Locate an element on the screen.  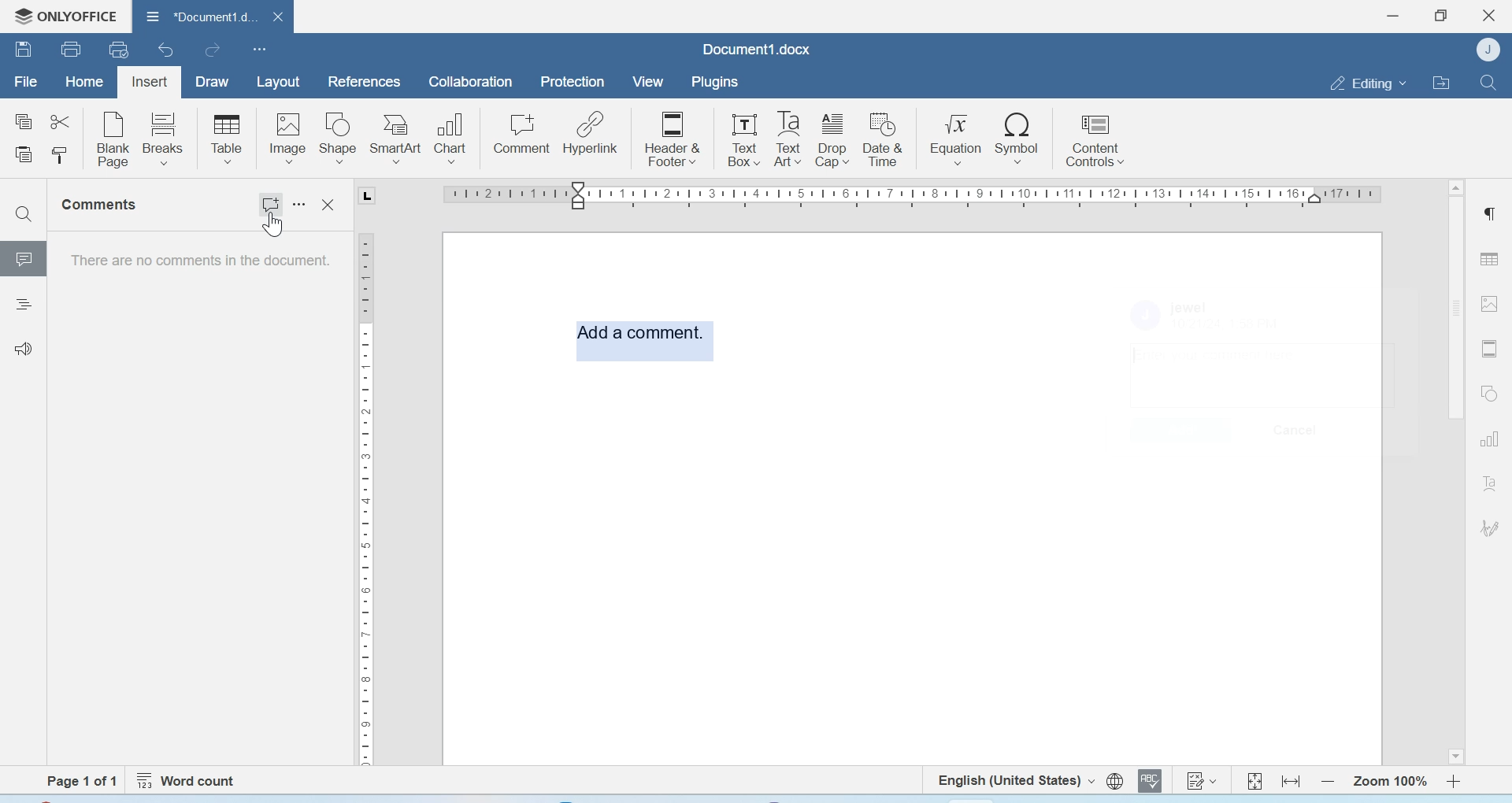
Chart is located at coordinates (452, 136).